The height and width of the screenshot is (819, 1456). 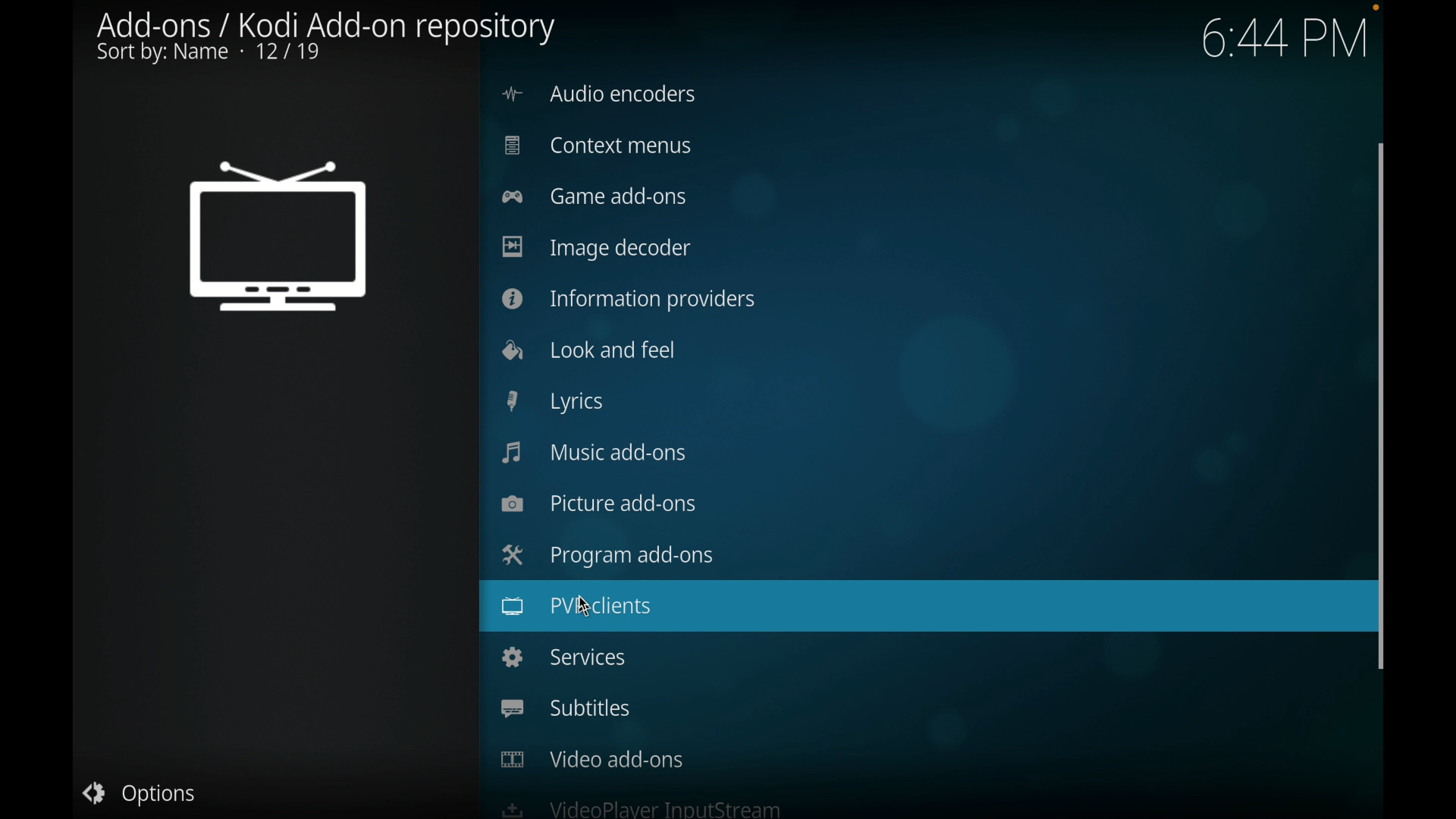 I want to click on live tv, so click(x=278, y=240).